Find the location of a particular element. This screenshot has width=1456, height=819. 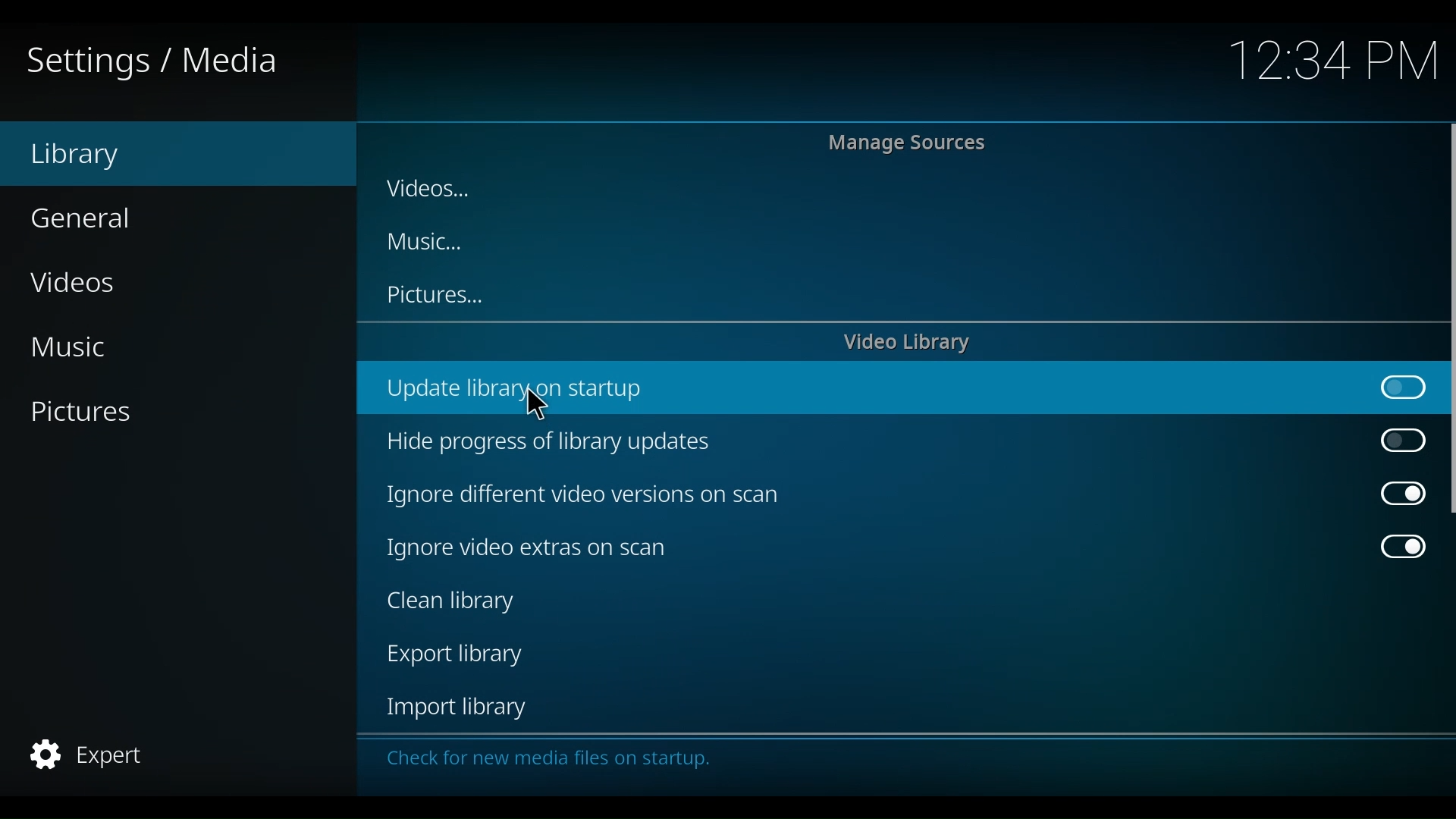

Update library on startup is located at coordinates (431, 386).